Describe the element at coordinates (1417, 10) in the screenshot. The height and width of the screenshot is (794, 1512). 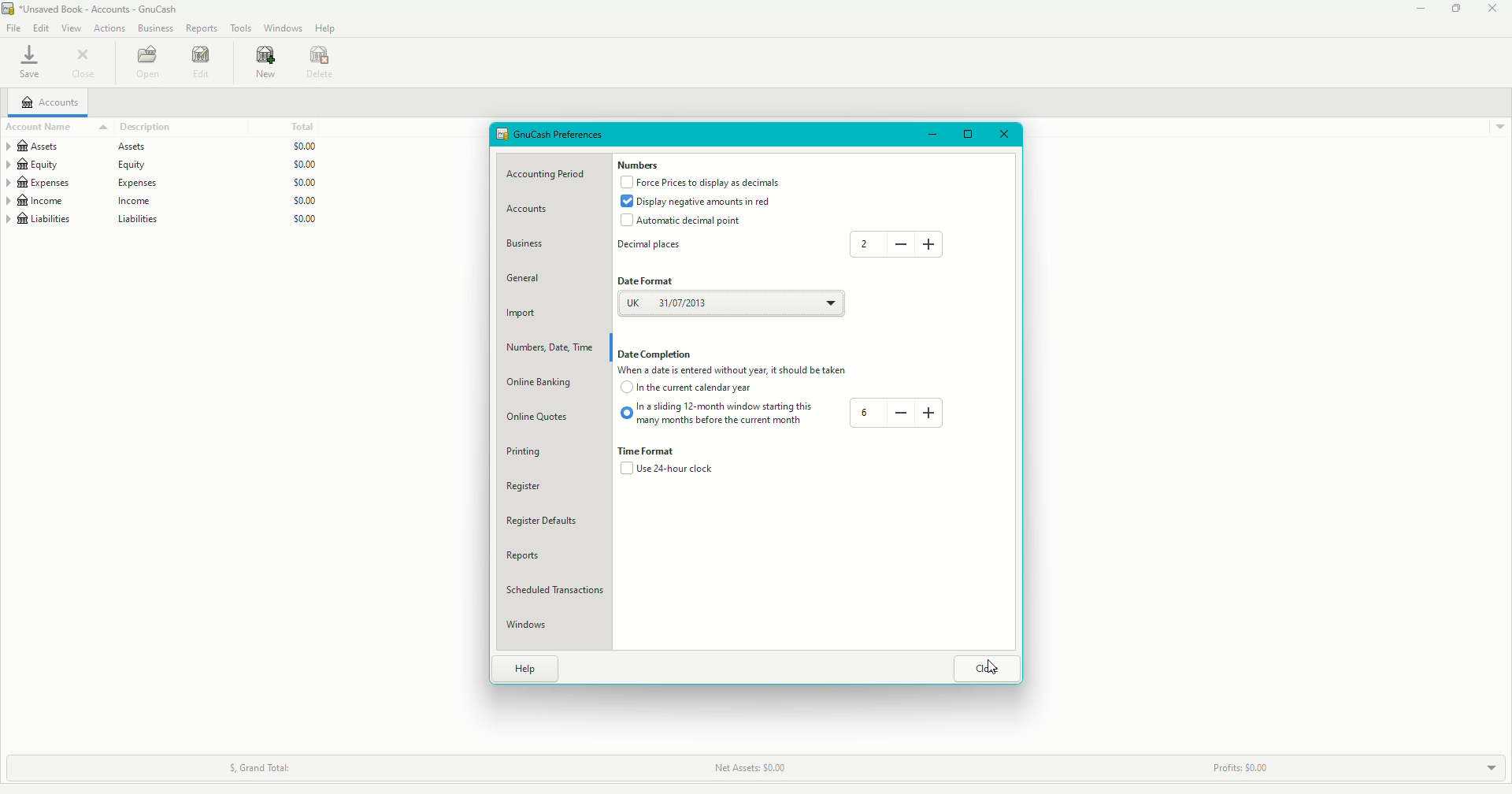
I see `Minimize` at that location.